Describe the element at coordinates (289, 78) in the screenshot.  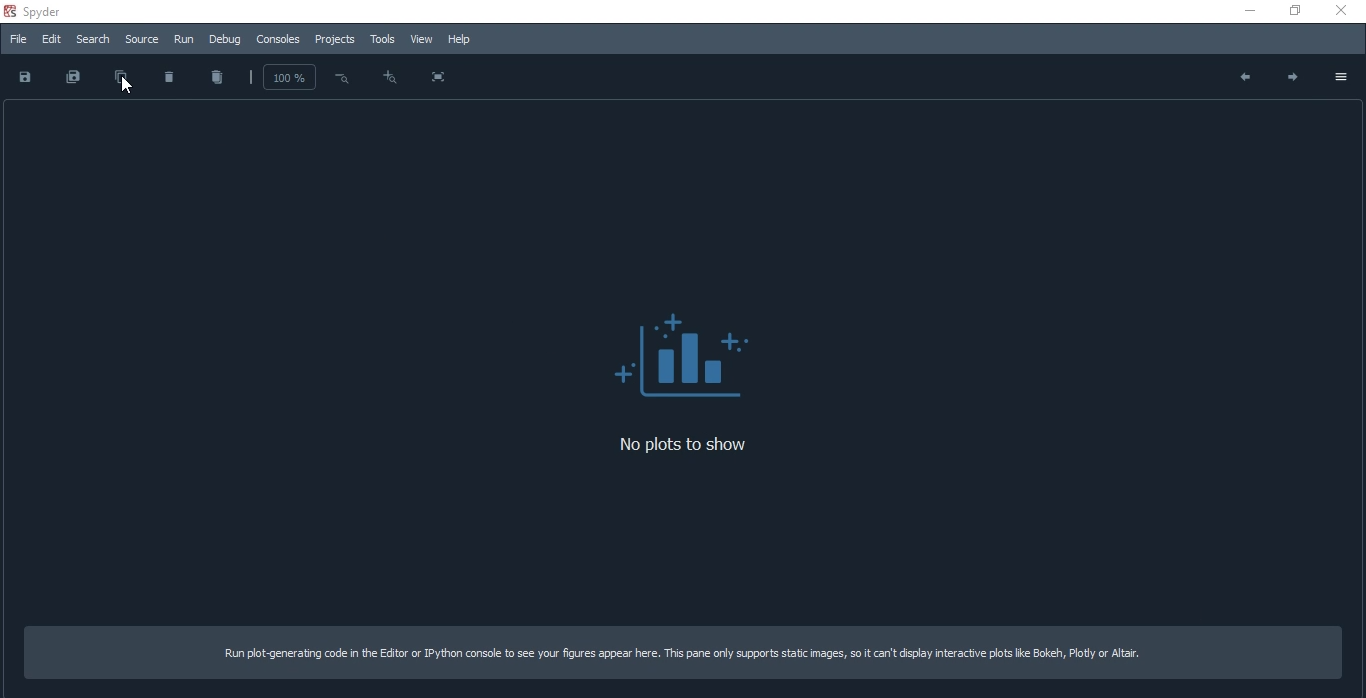
I see `zoom percent` at that location.